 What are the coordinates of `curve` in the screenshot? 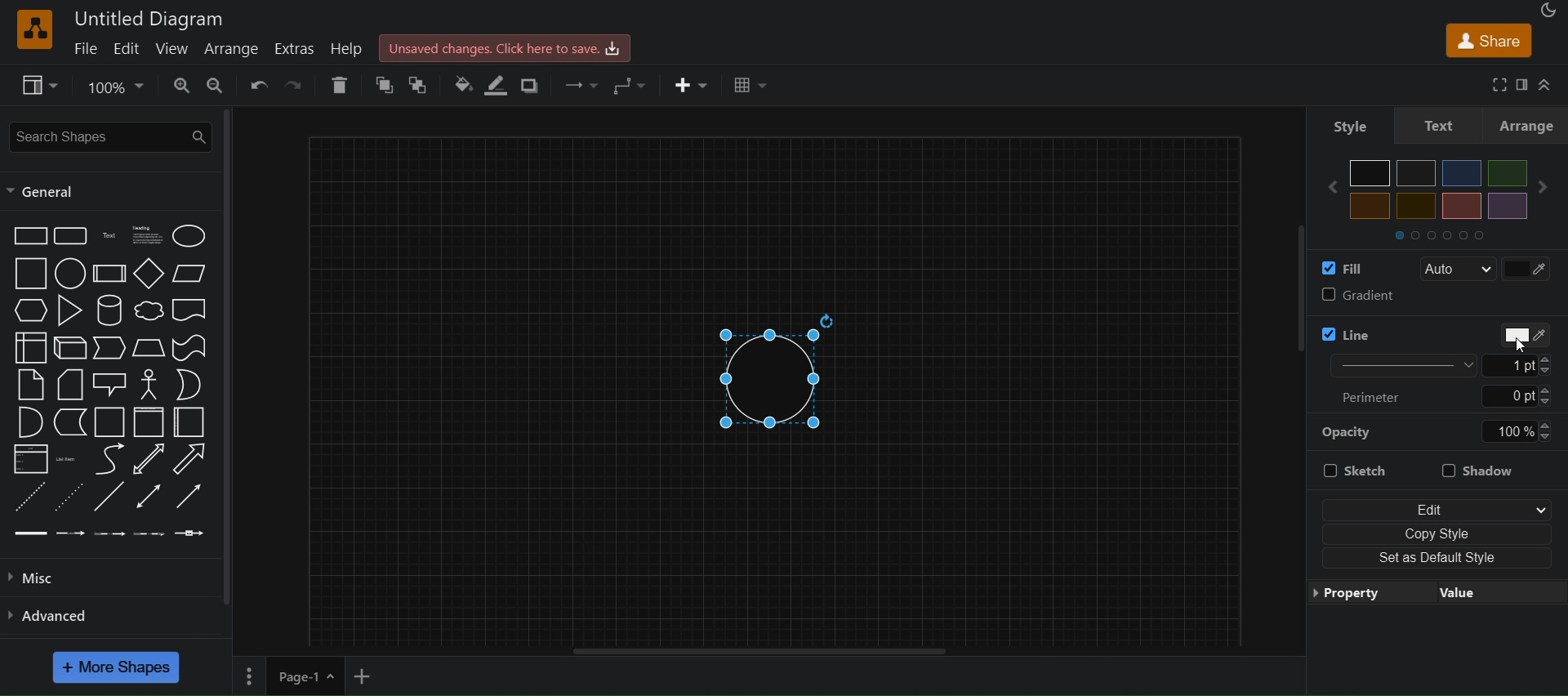 It's located at (109, 461).